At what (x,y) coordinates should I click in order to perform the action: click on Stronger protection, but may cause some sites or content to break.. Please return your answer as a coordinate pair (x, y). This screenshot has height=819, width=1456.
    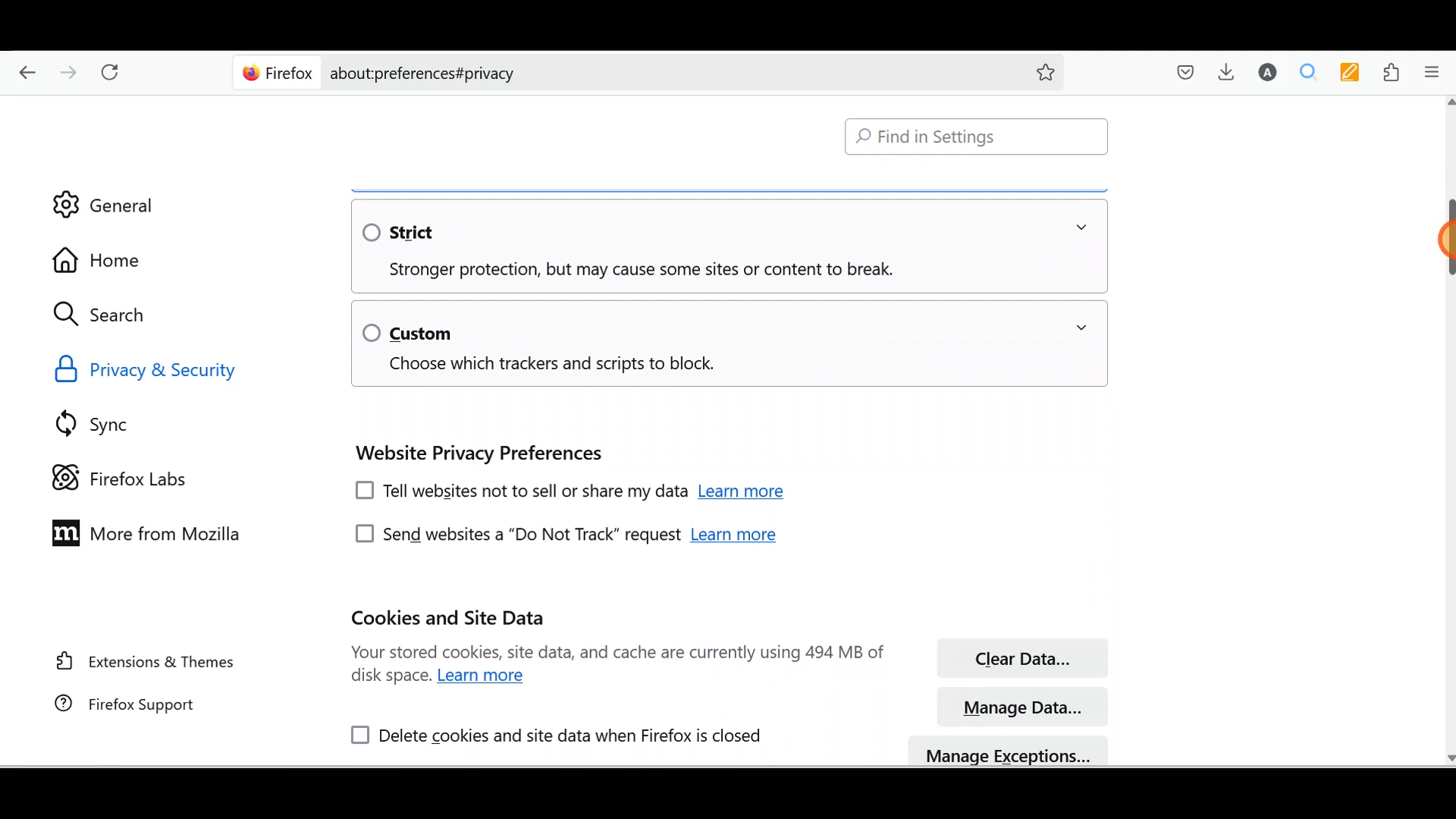
    Looking at the image, I should click on (628, 271).